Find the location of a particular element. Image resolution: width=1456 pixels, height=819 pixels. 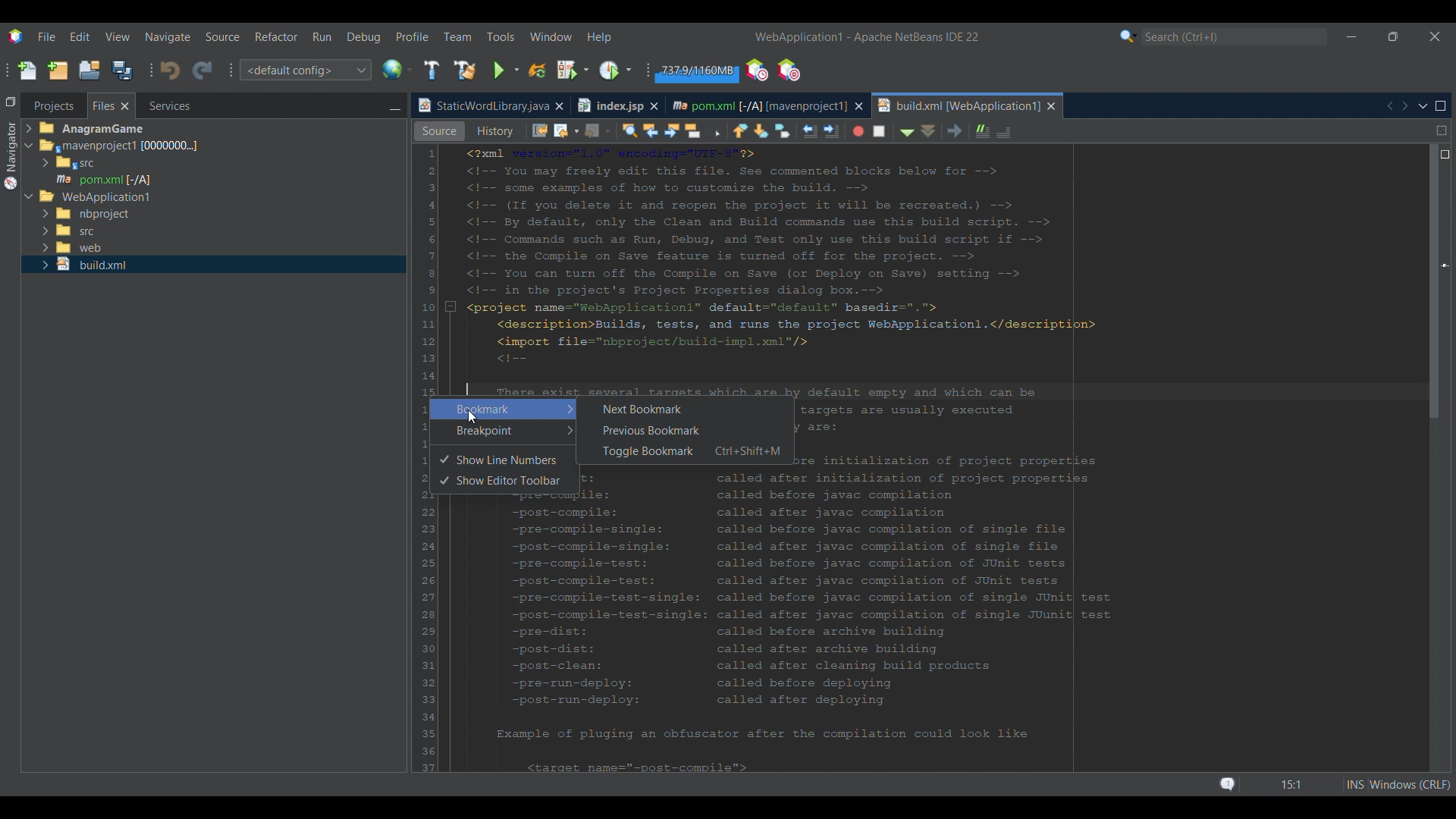

Reload is located at coordinates (538, 71).